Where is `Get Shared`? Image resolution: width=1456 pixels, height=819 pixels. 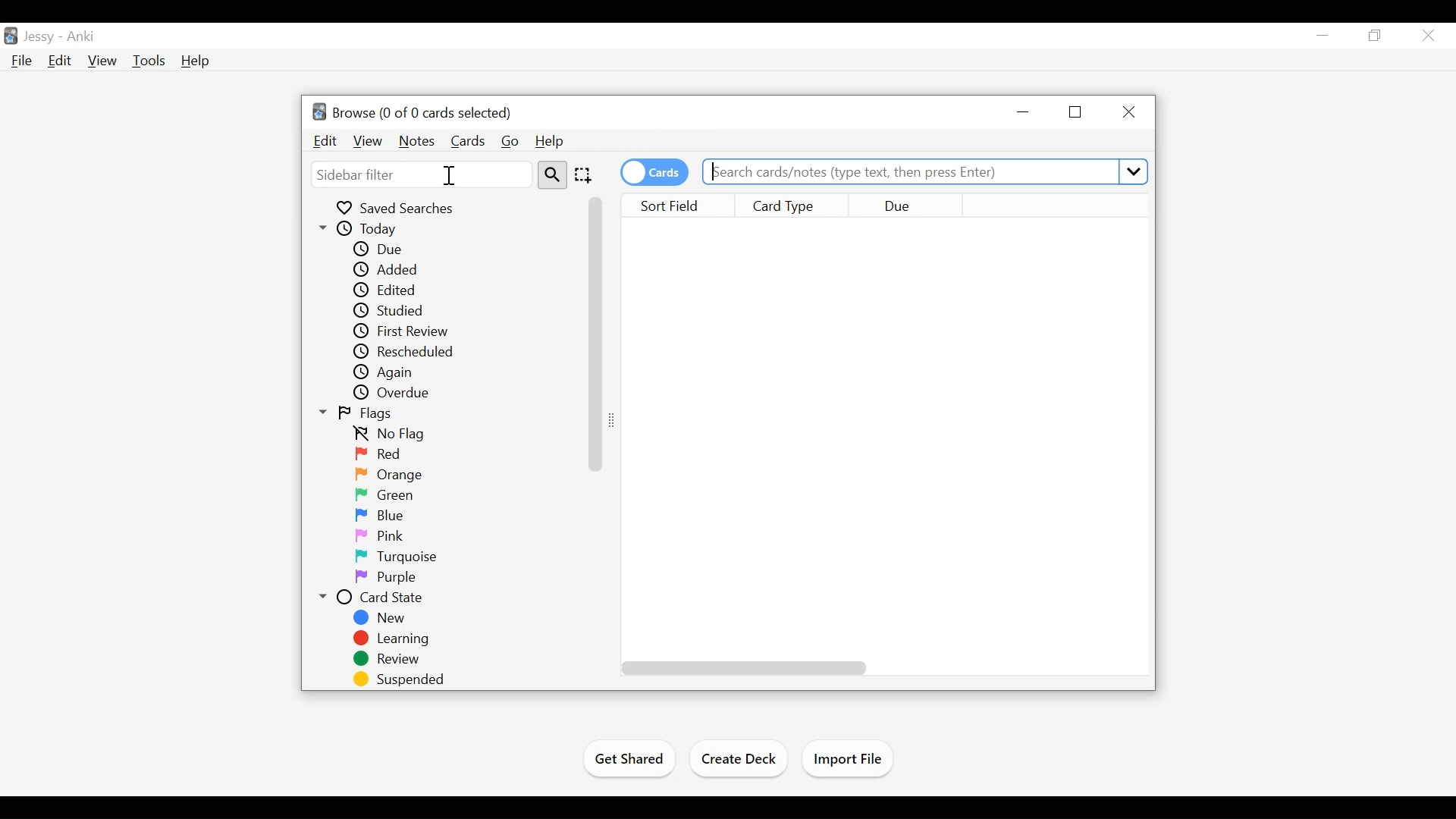
Get Shared is located at coordinates (627, 761).